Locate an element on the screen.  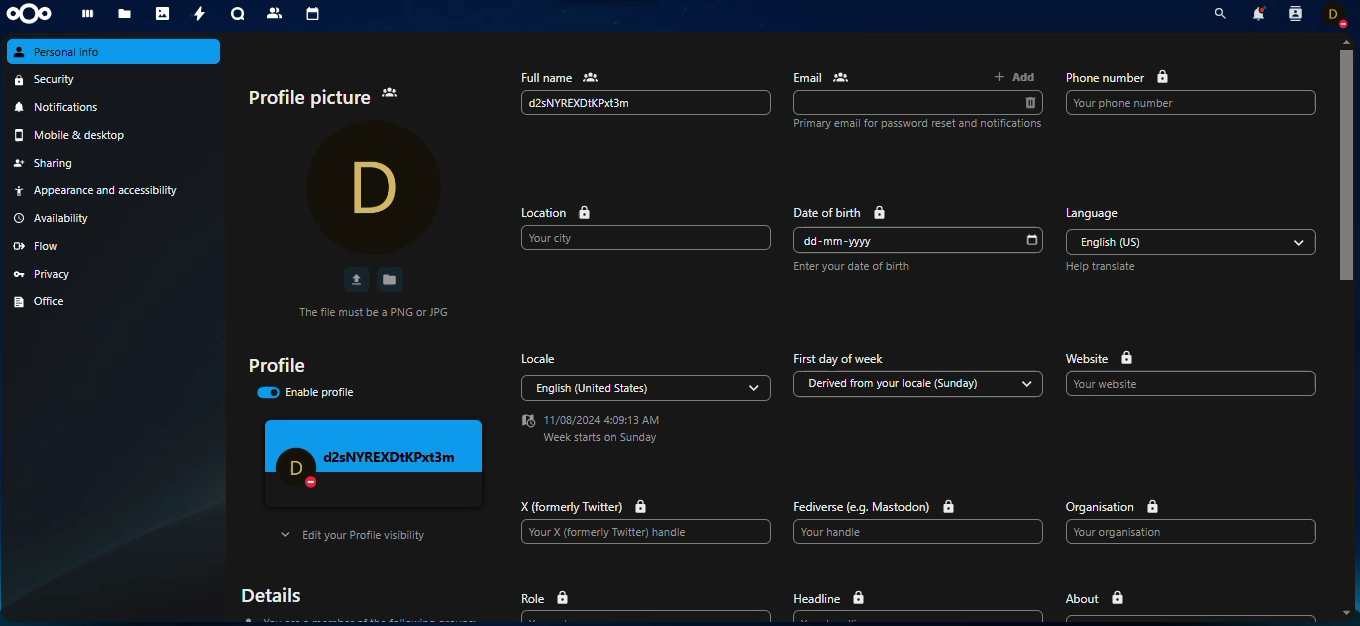
profile picture is located at coordinates (325, 98).